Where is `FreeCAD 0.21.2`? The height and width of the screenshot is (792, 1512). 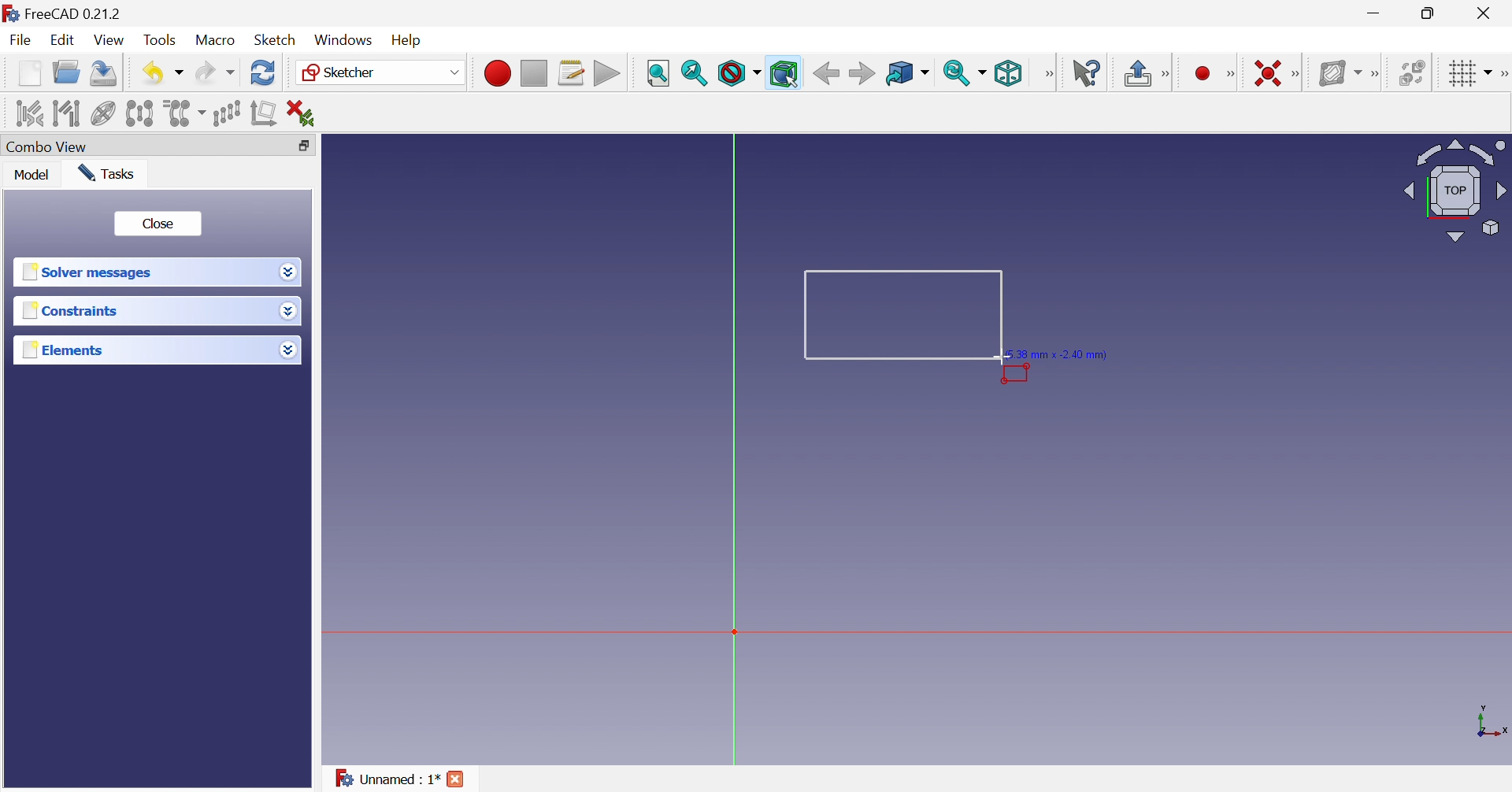 FreeCAD 0.21.2 is located at coordinates (74, 13).